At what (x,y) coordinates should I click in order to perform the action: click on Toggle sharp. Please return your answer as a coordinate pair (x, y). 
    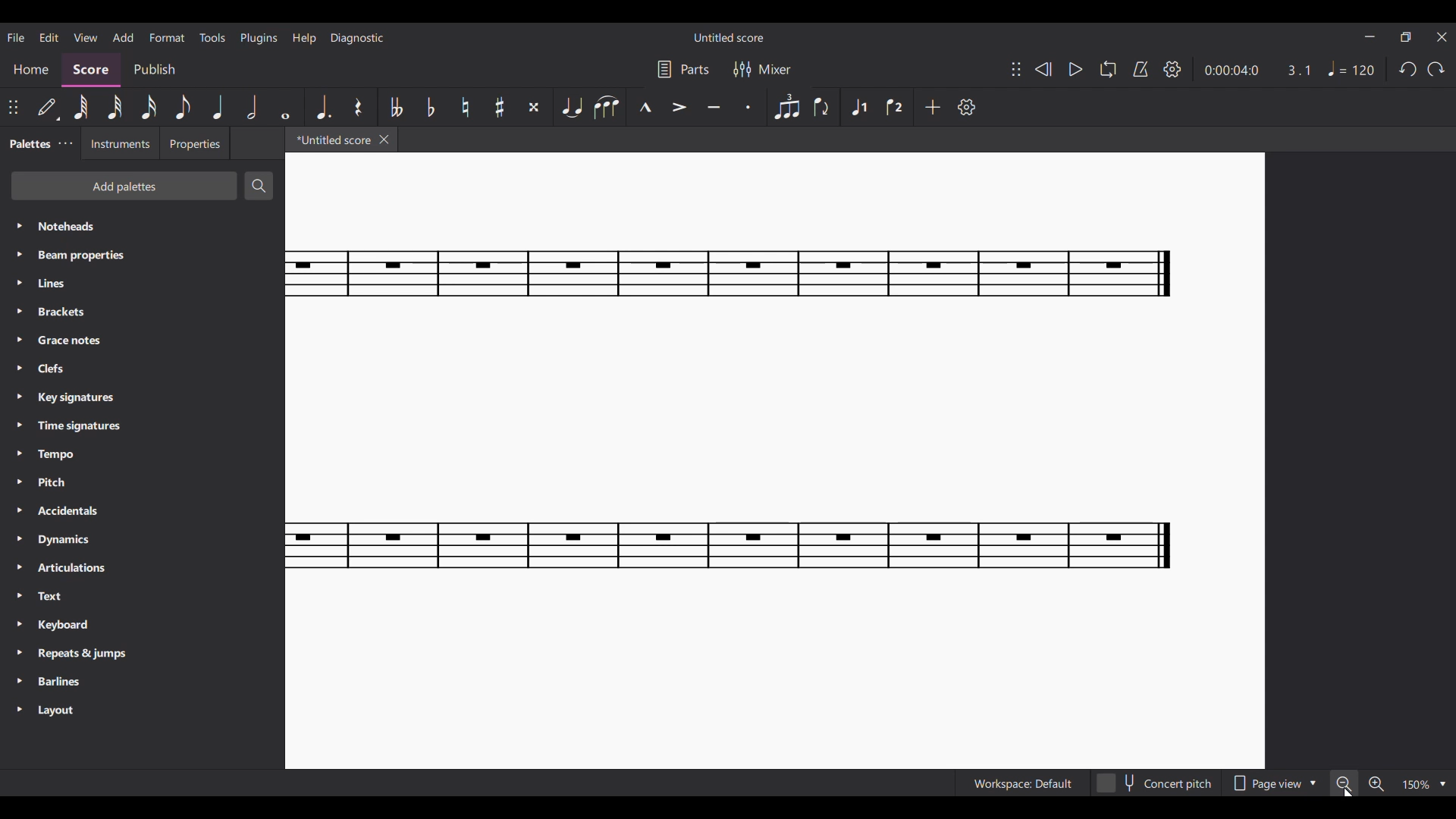
    Looking at the image, I should click on (500, 107).